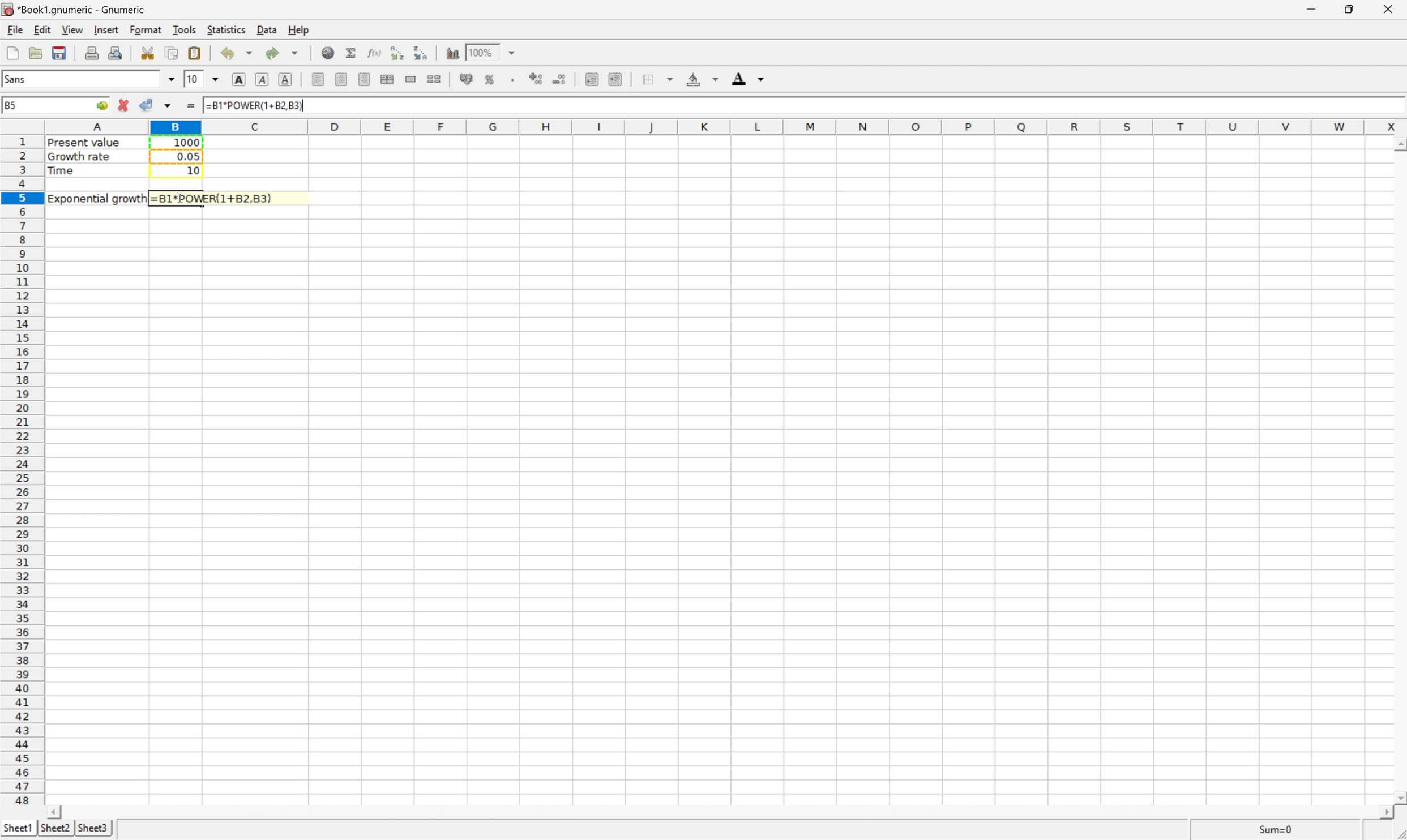  Describe the element at coordinates (240, 79) in the screenshot. I see `Bold` at that location.